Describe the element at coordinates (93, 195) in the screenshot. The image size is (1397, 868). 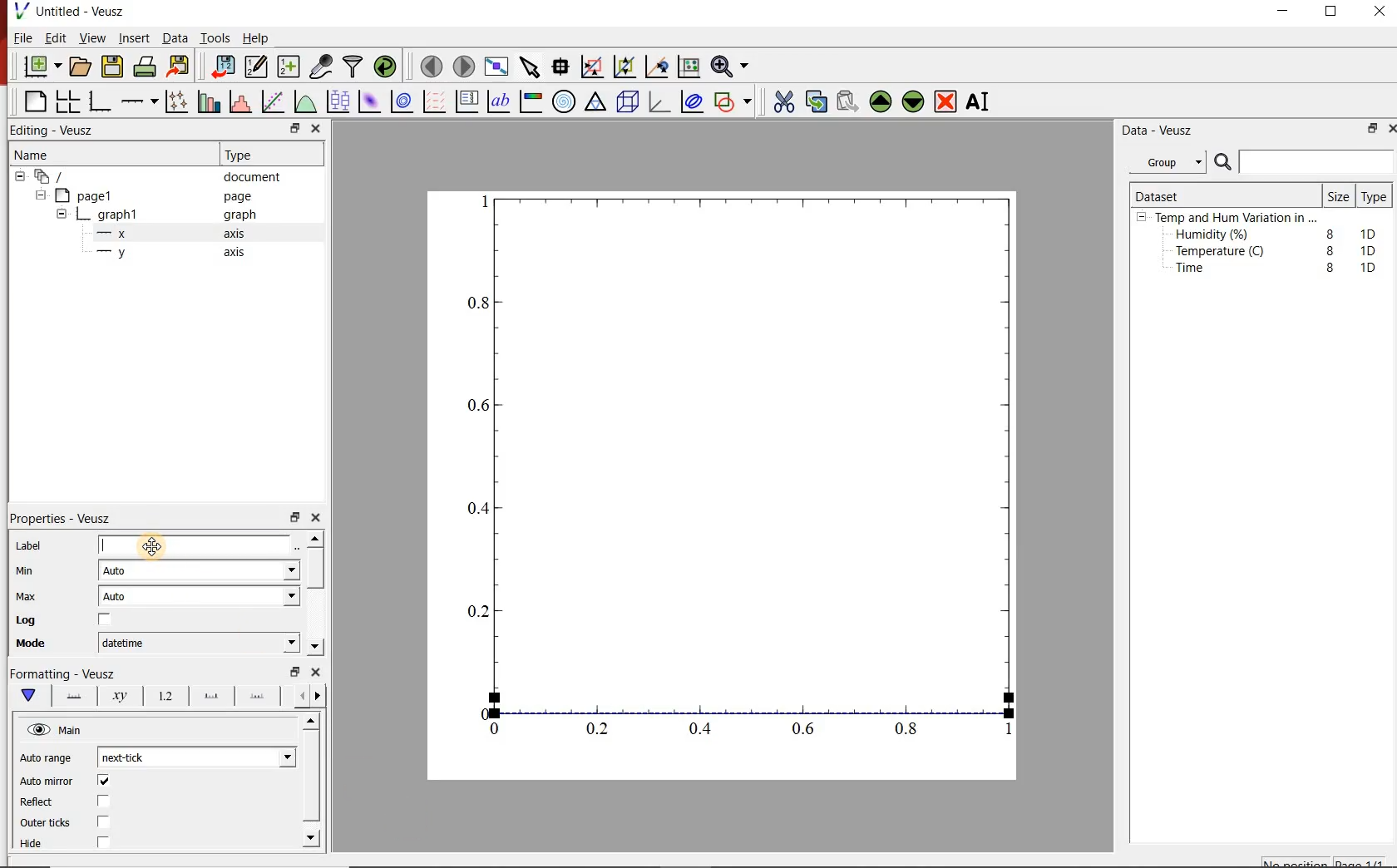
I see `page1` at that location.